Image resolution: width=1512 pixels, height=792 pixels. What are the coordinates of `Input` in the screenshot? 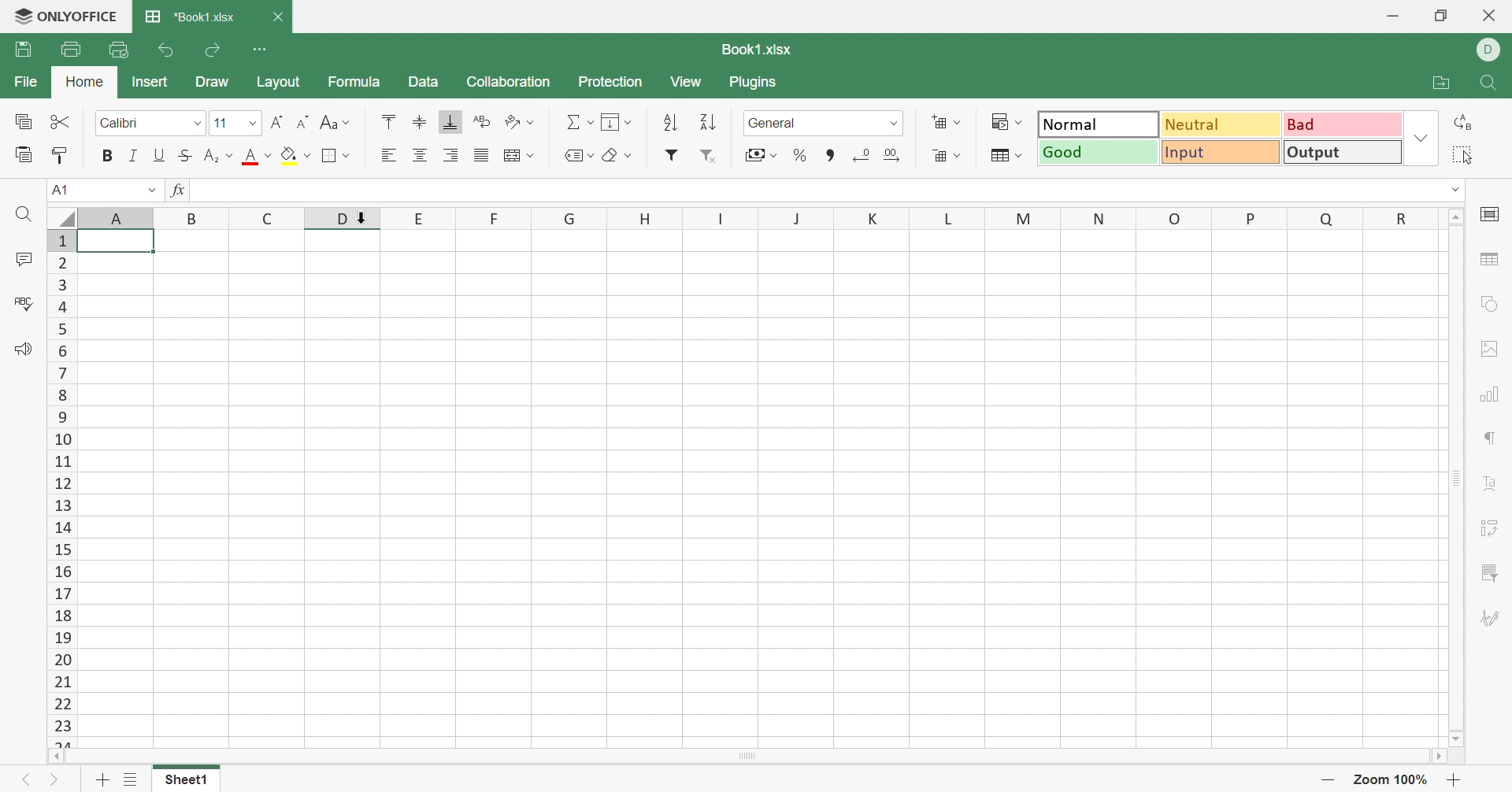 It's located at (1221, 152).